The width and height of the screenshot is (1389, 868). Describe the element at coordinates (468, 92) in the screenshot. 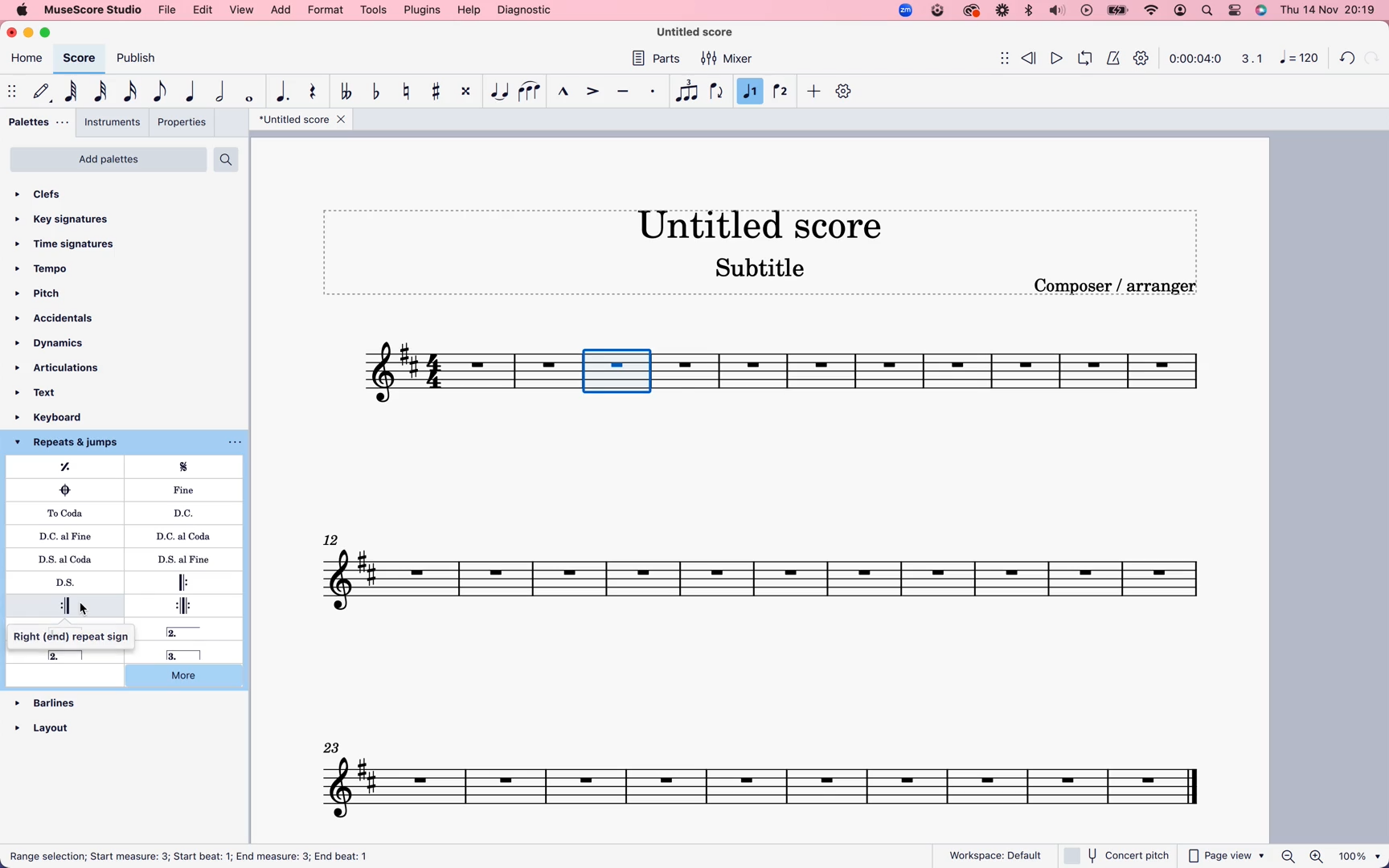

I see `toggle double sharp` at that location.